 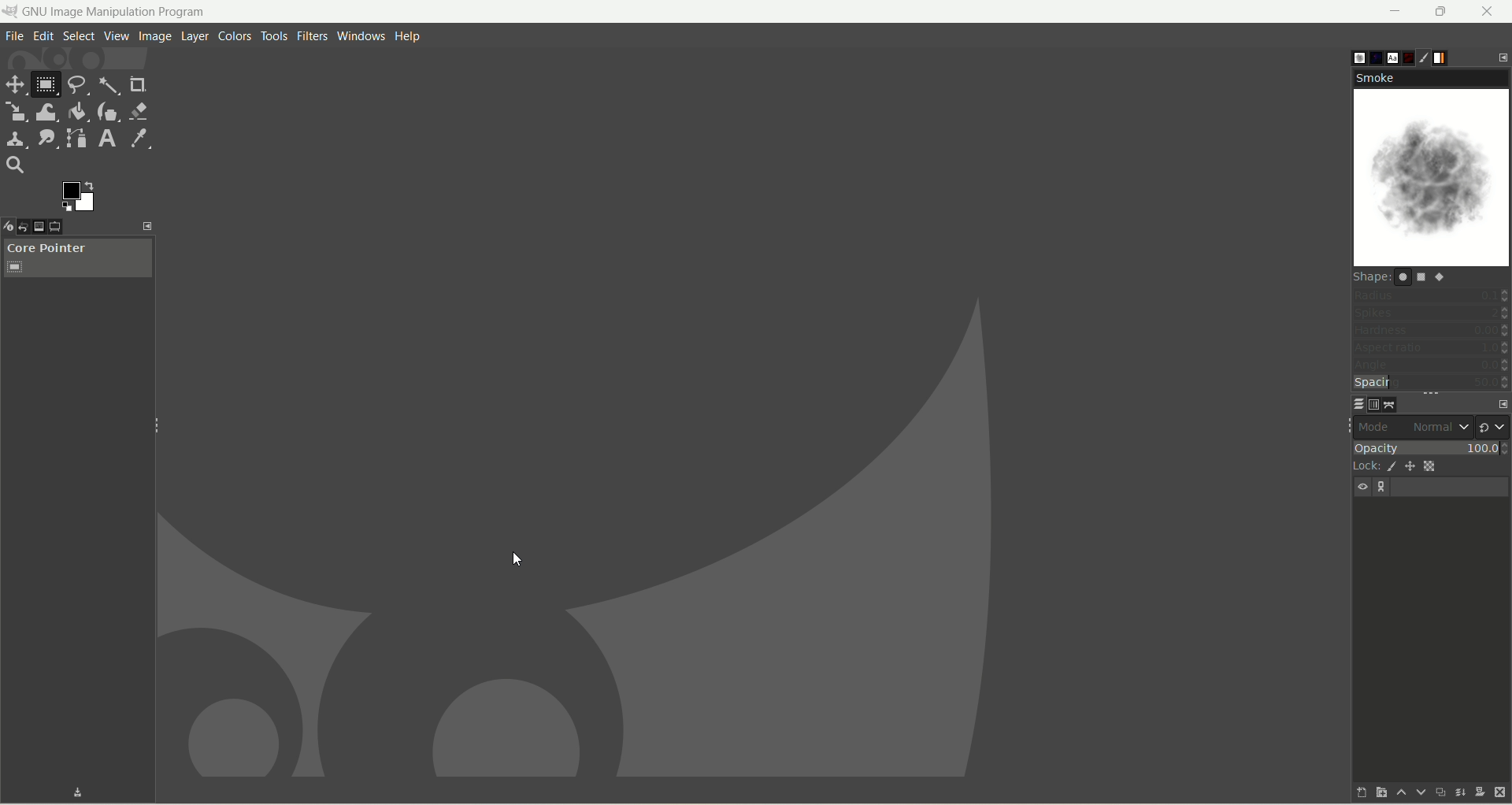 What do you see at coordinates (1383, 488) in the screenshot?
I see `link layer` at bounding box center [1383, 488].